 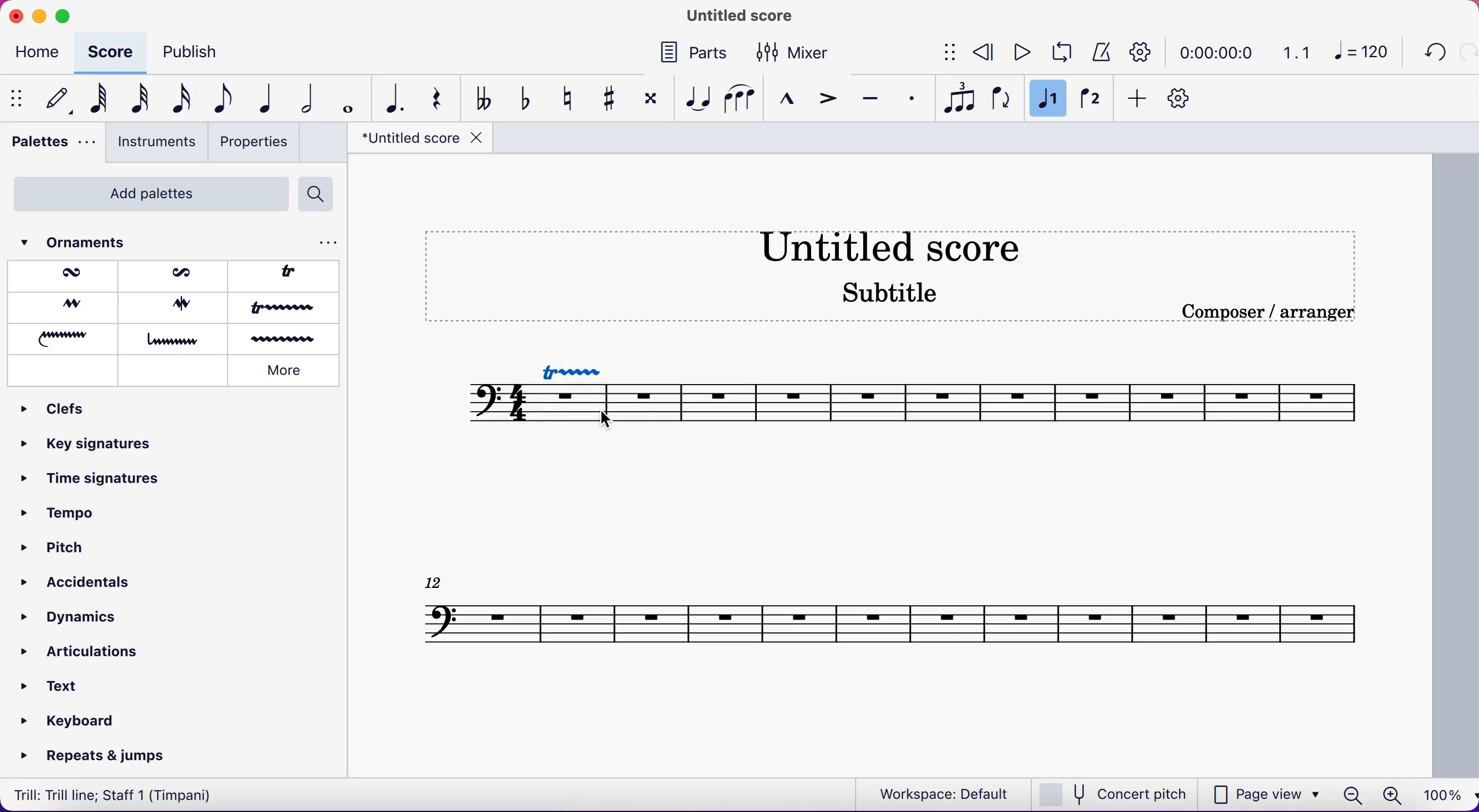 What do you see at coordinates (53, 99) in the screenshot?
I see `default` at bounding box center [53, 99].